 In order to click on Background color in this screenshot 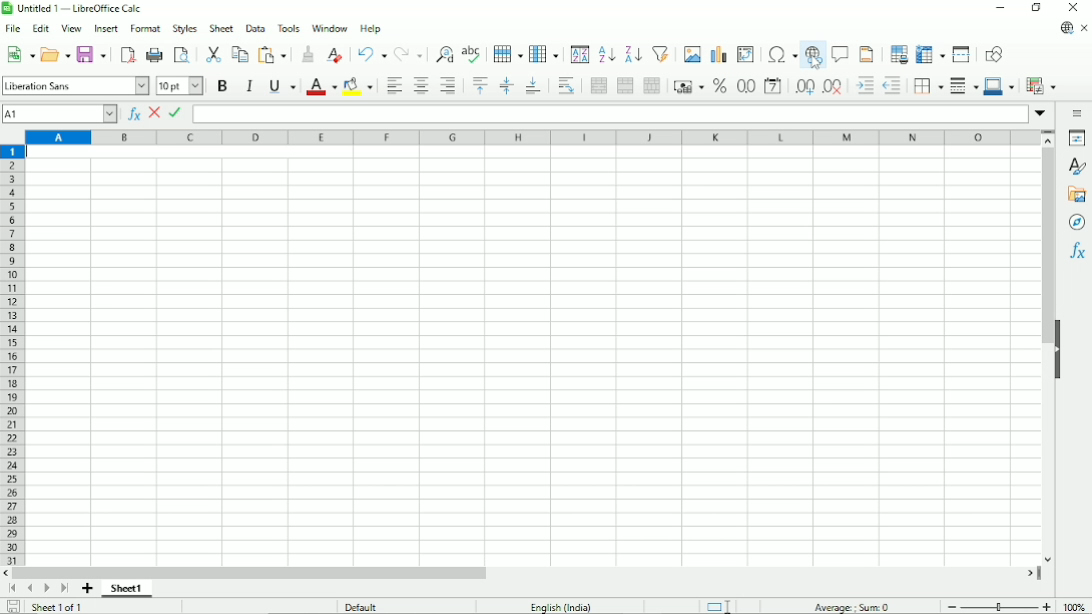, I will do `click(357, 86)`.